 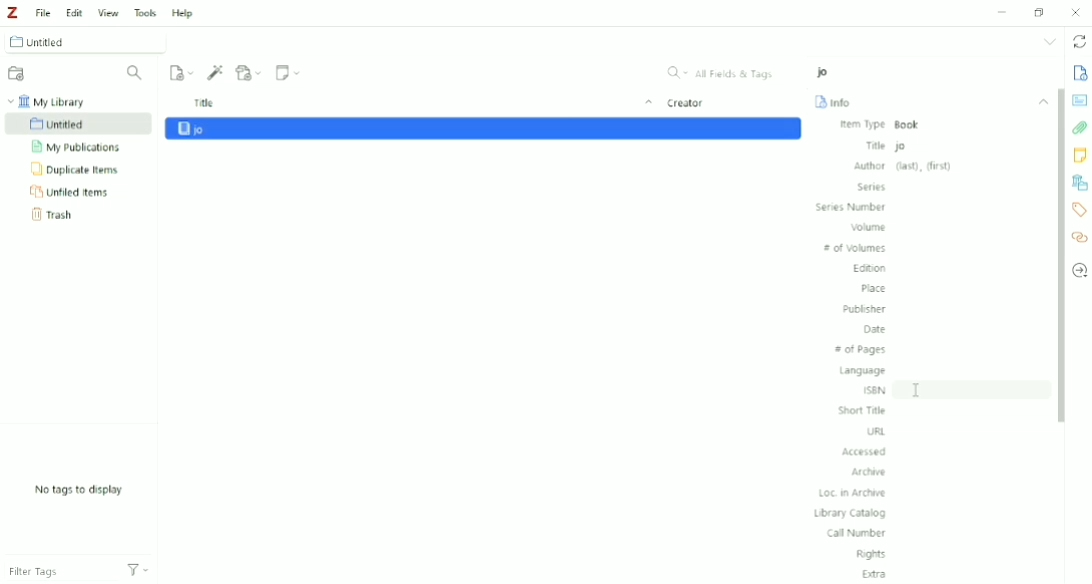 What do you see at coordinates (869, 269) in the screenshot?
I see `Edition` at bounding box center [869, 269].